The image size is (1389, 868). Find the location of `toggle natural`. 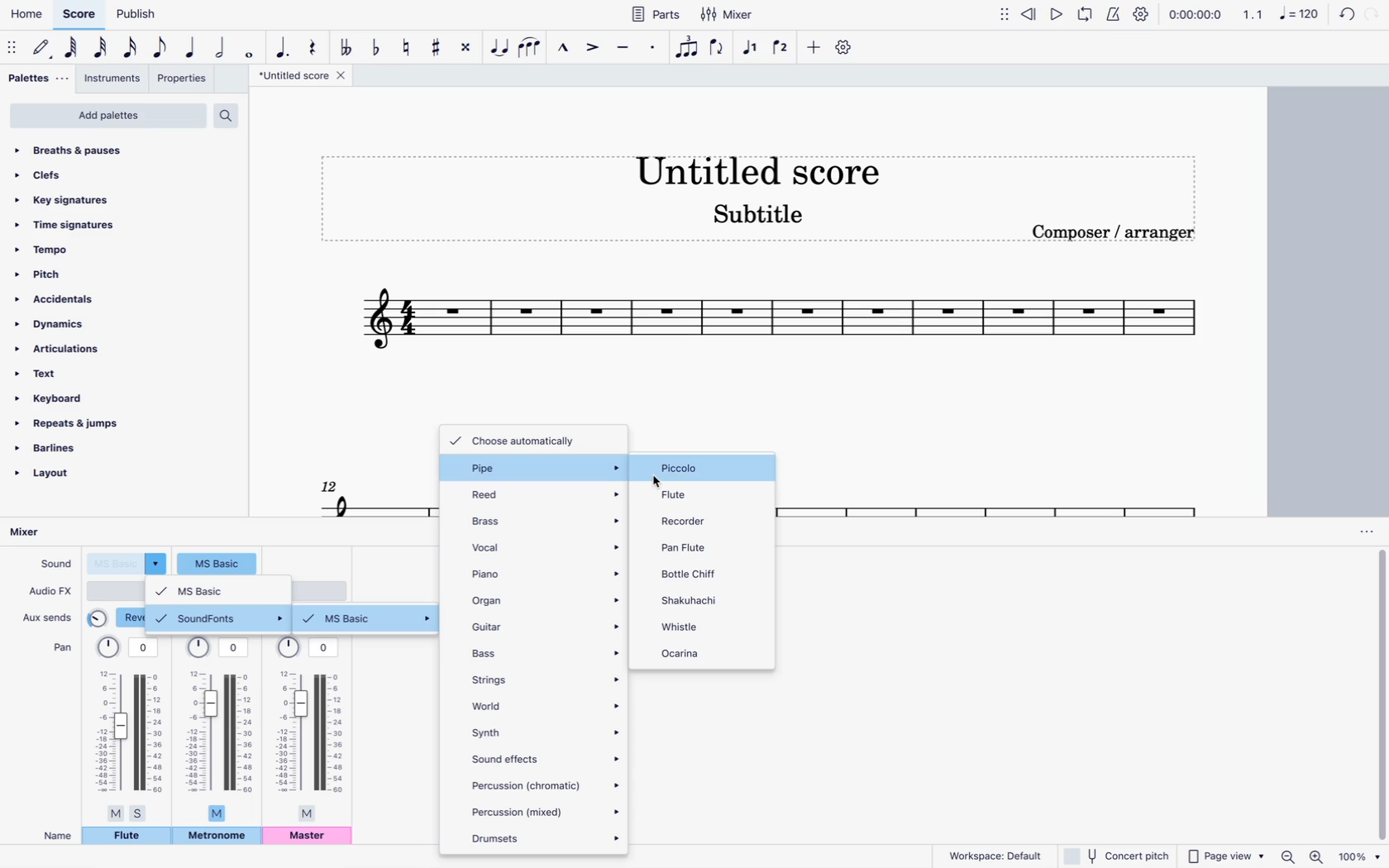

toggle natural is located at coordinates (404, 46).